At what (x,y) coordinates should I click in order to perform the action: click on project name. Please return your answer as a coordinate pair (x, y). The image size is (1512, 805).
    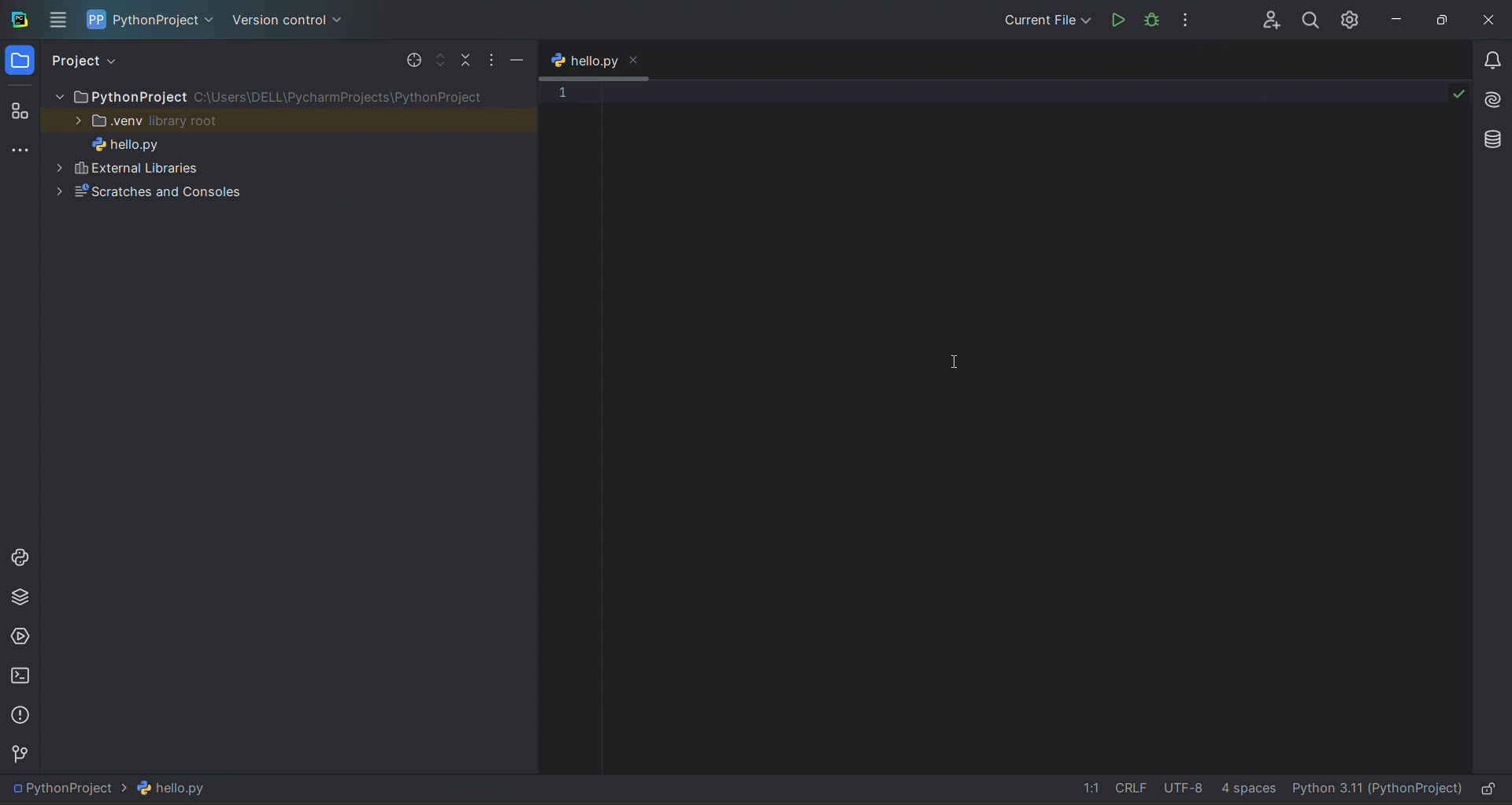
    Looking at the image, I should click on (152, 20).